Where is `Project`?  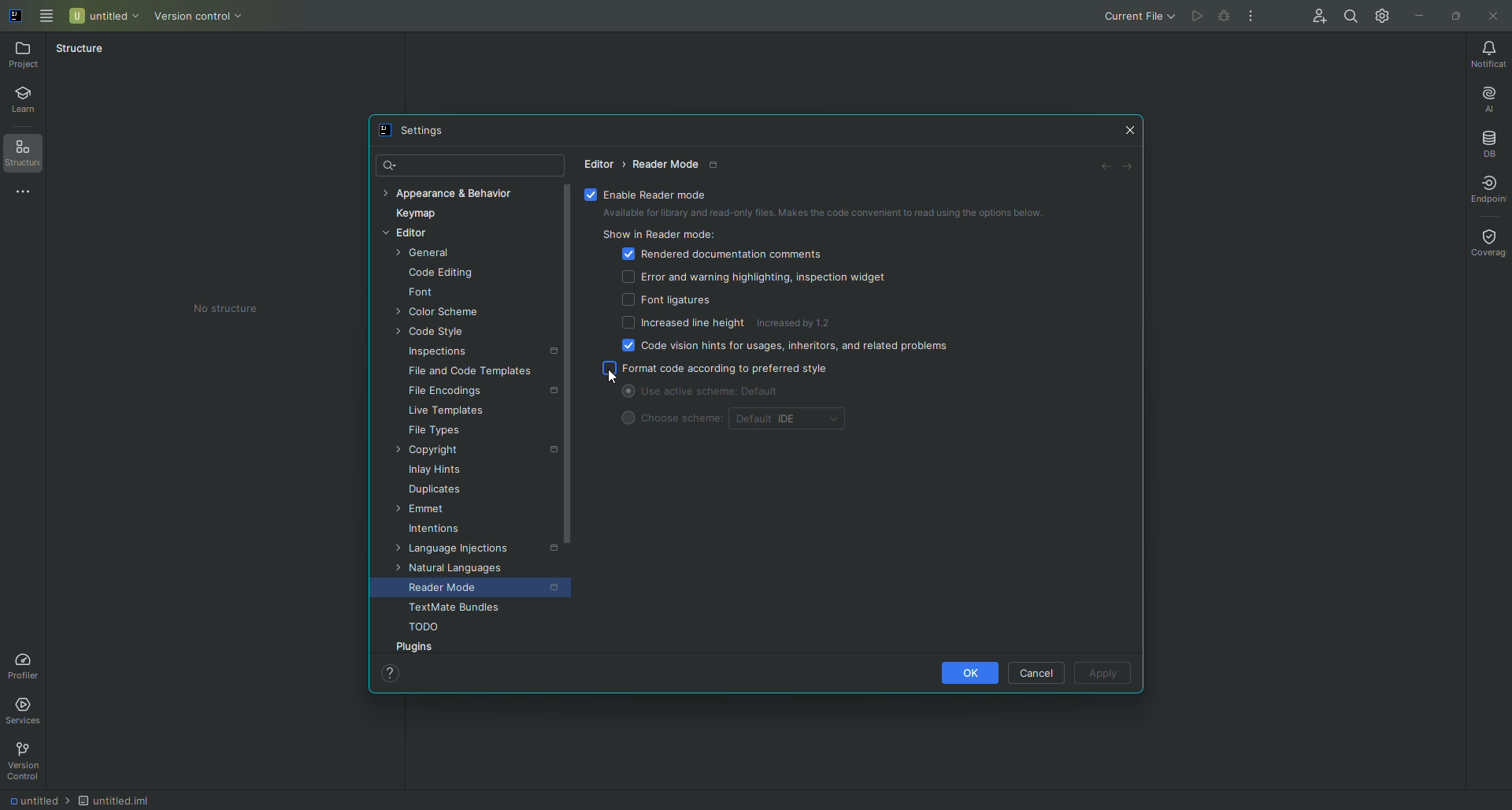
Project is located at coordinates (23, 57).